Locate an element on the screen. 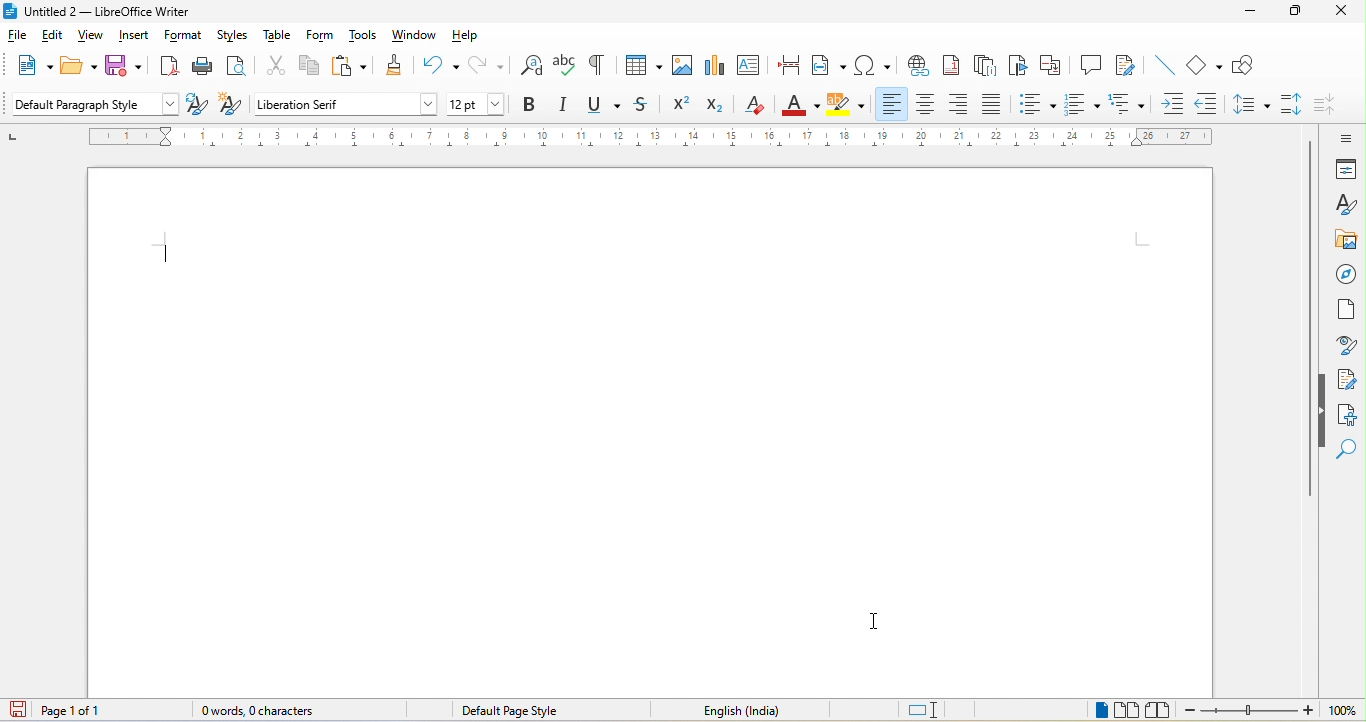  set line spacing is located at coordinates (1250, 107).